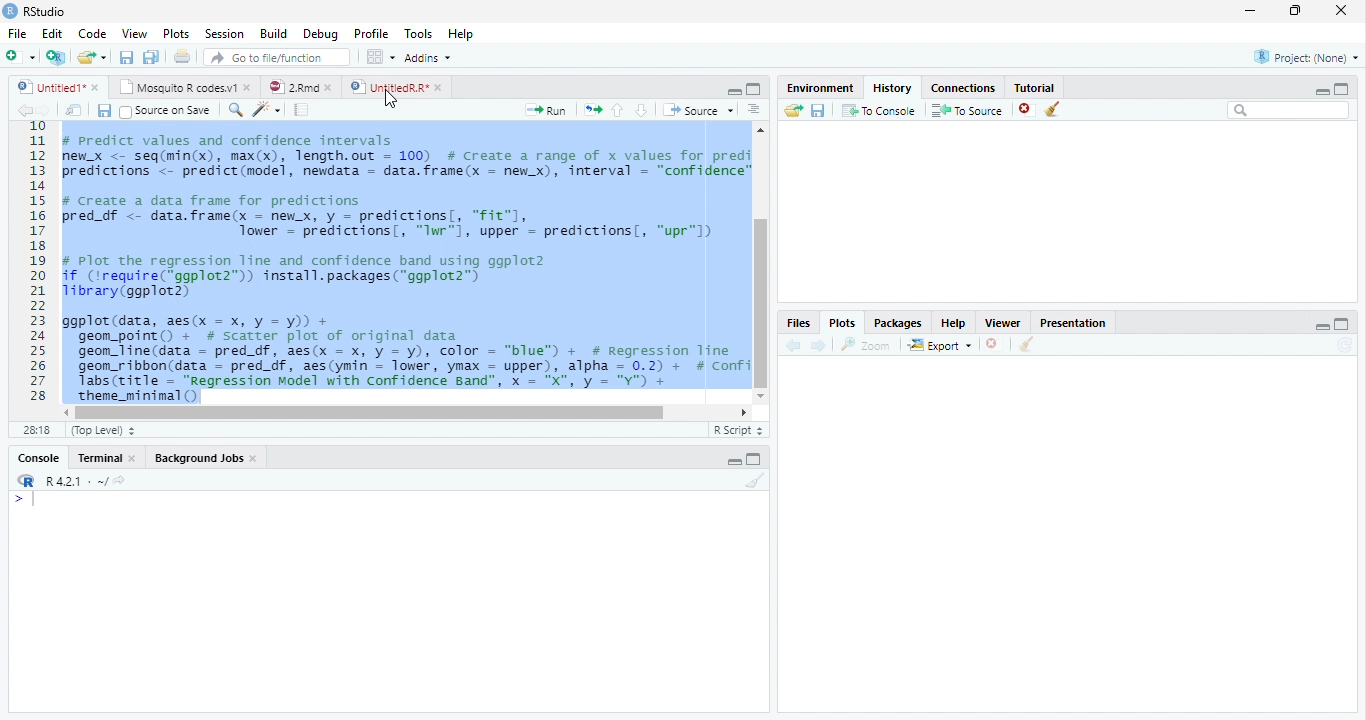  I want to click on Untitled R, so click(393, 86).